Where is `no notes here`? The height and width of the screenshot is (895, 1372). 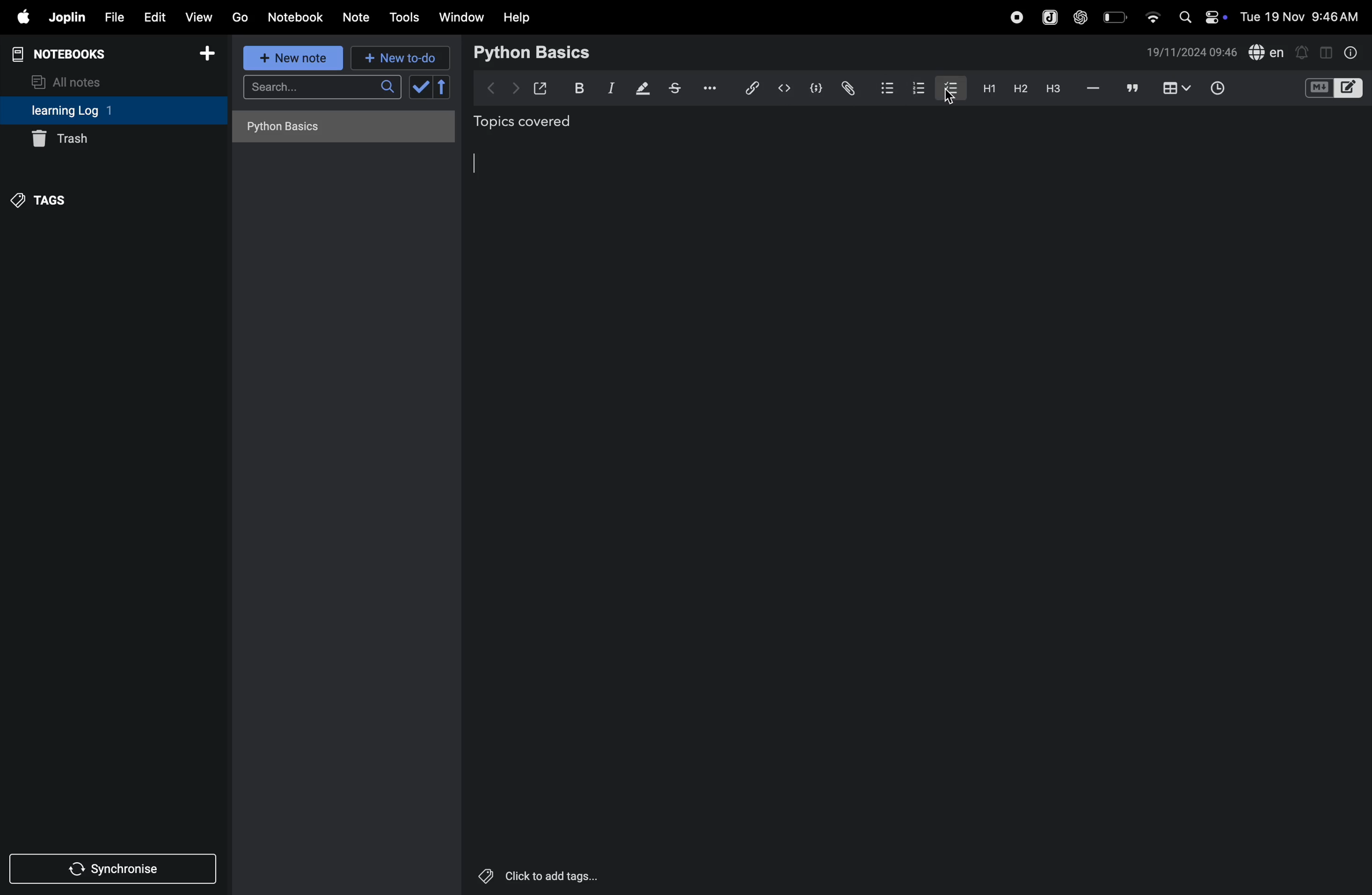
no notes here is located at coordinates (340, 130).